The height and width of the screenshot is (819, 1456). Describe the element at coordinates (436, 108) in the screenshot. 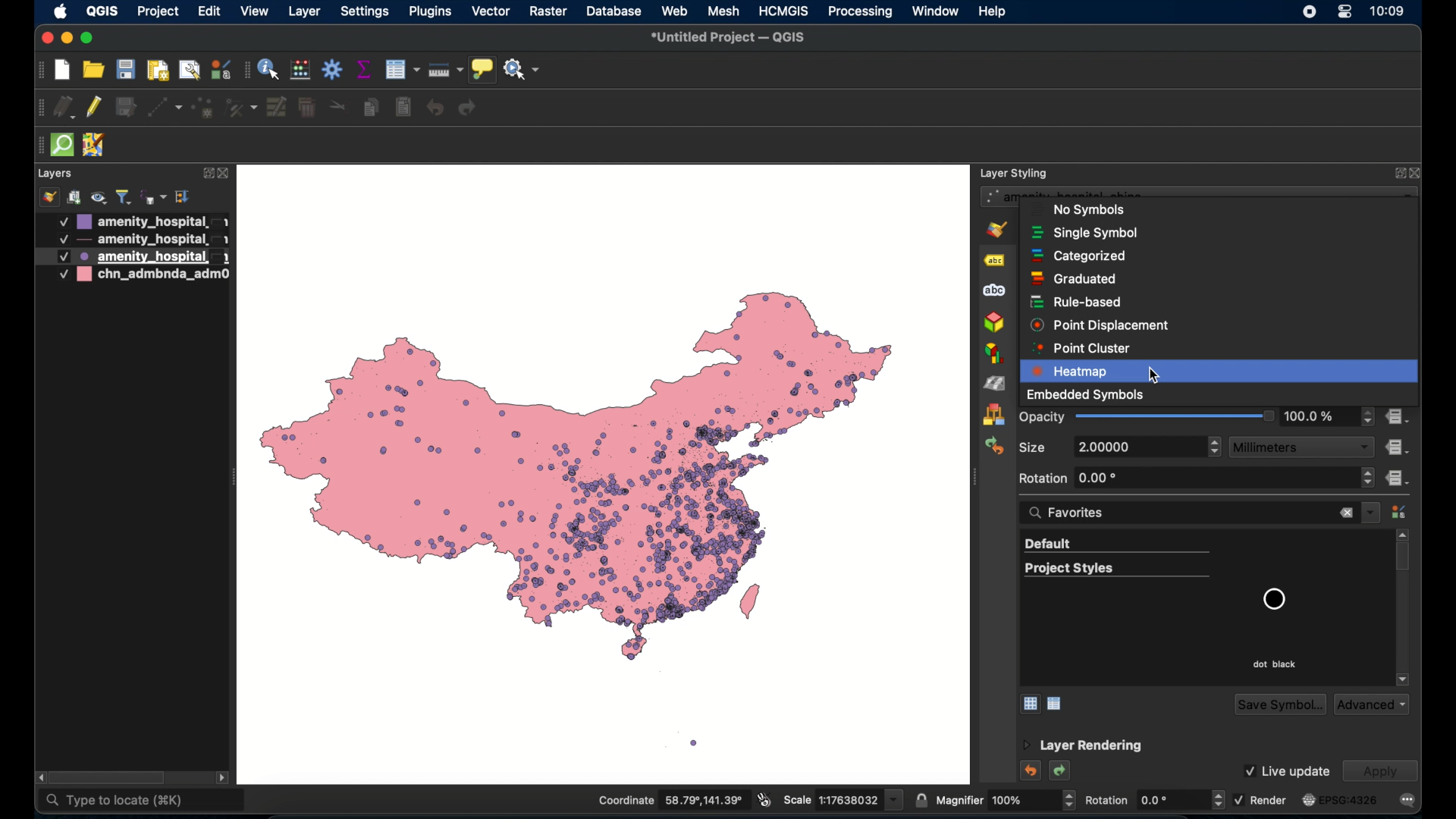

I see `undo` at that location.